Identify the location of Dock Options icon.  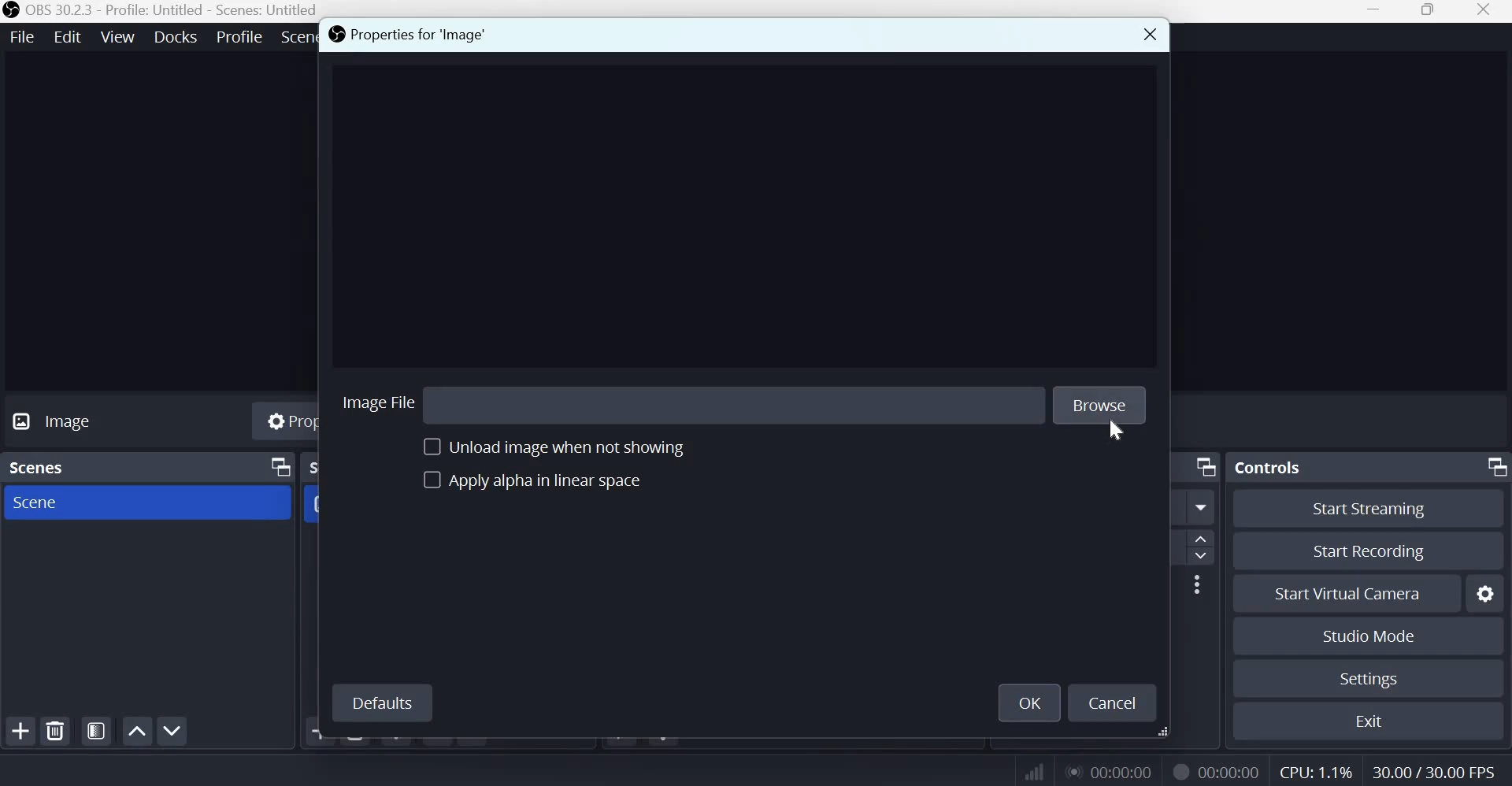
(276, 467).